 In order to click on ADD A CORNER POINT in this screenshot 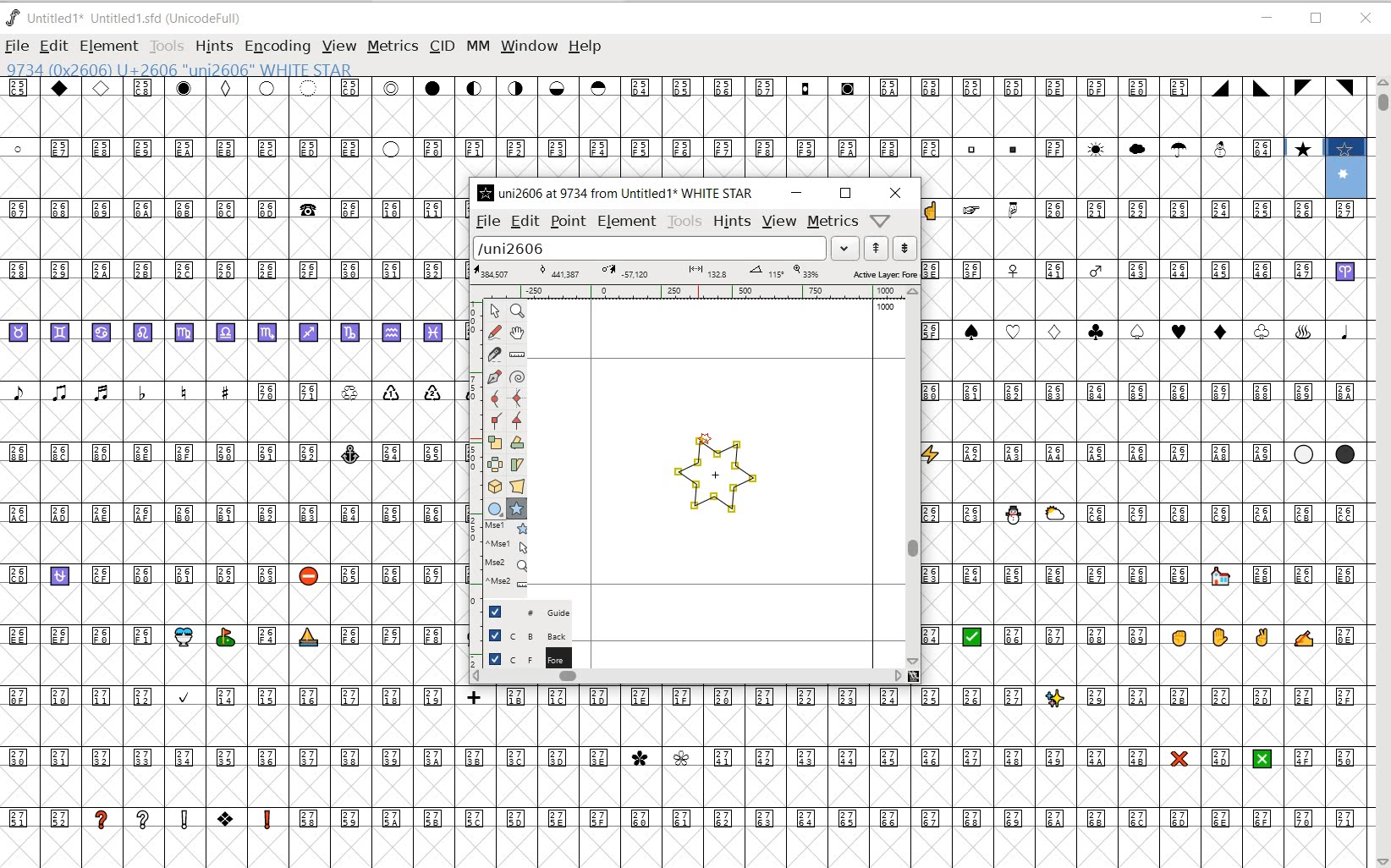, I will do `click(498, 422)`.